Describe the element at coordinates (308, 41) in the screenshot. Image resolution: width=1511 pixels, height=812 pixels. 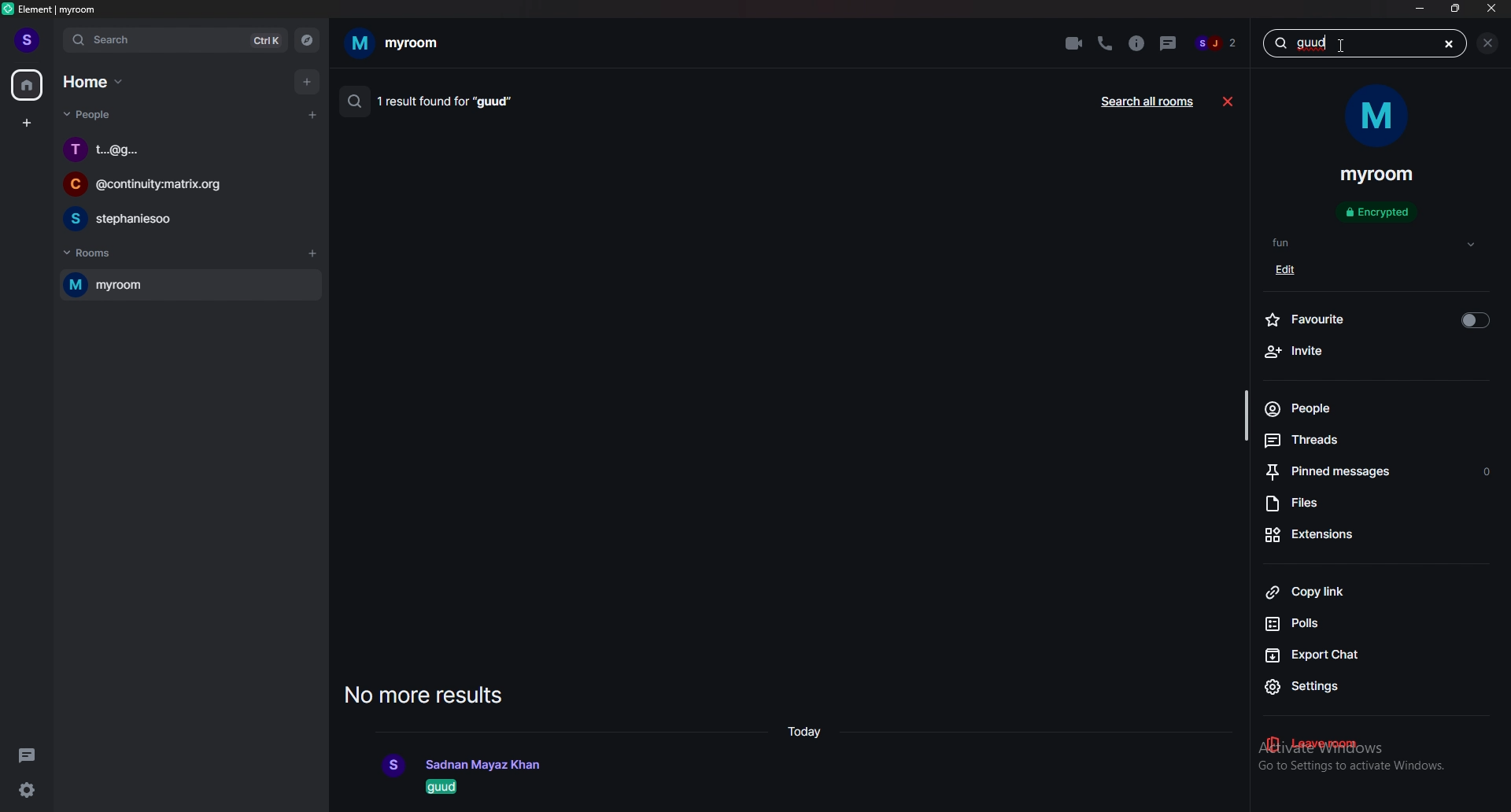
I see `explore rooms` at that location.